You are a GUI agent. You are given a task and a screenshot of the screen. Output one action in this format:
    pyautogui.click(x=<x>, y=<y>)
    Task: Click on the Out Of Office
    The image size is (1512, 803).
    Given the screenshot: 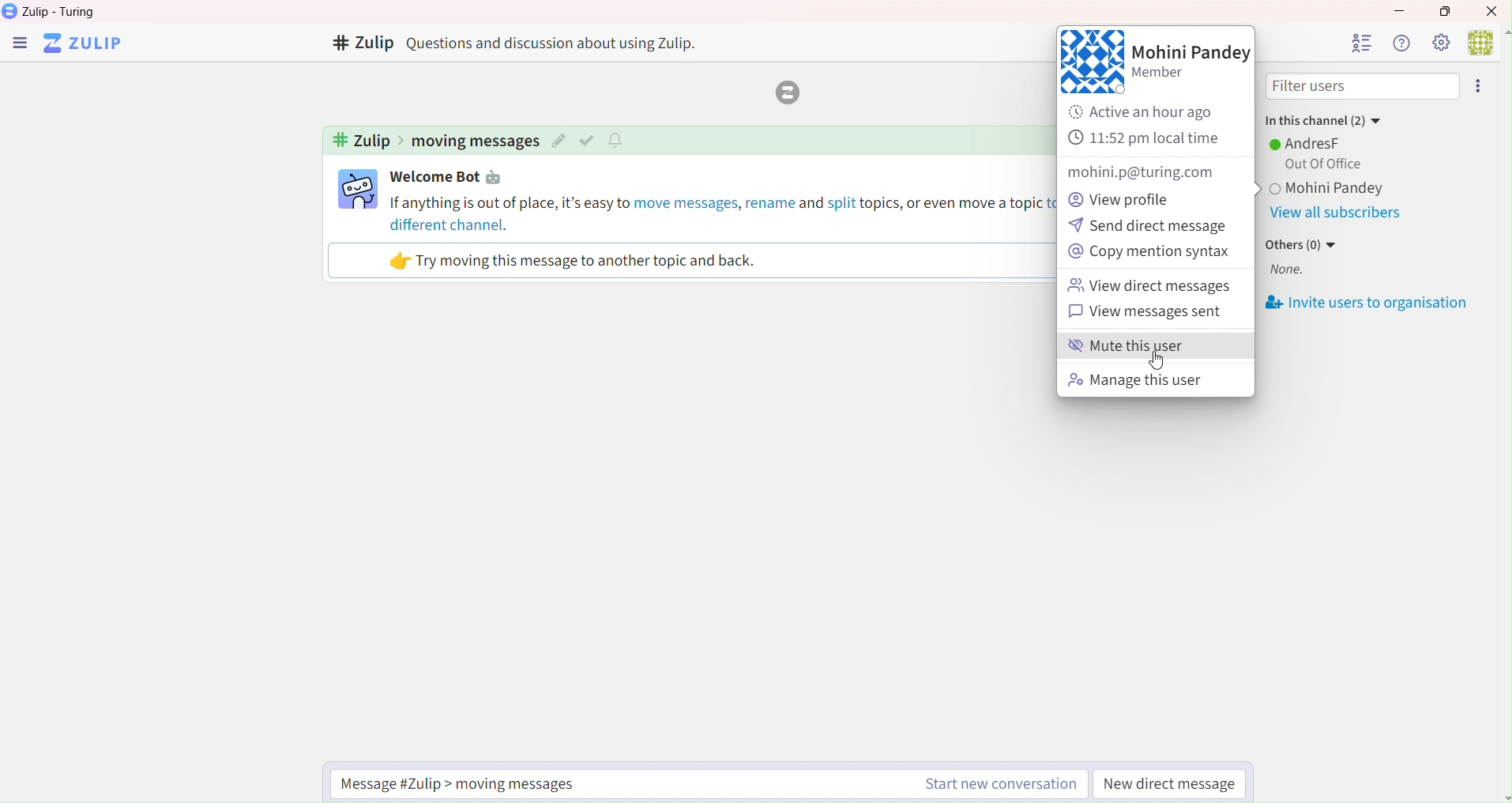 What is the action you would take?
    pyautogui.click(x=1319, y=164)
    